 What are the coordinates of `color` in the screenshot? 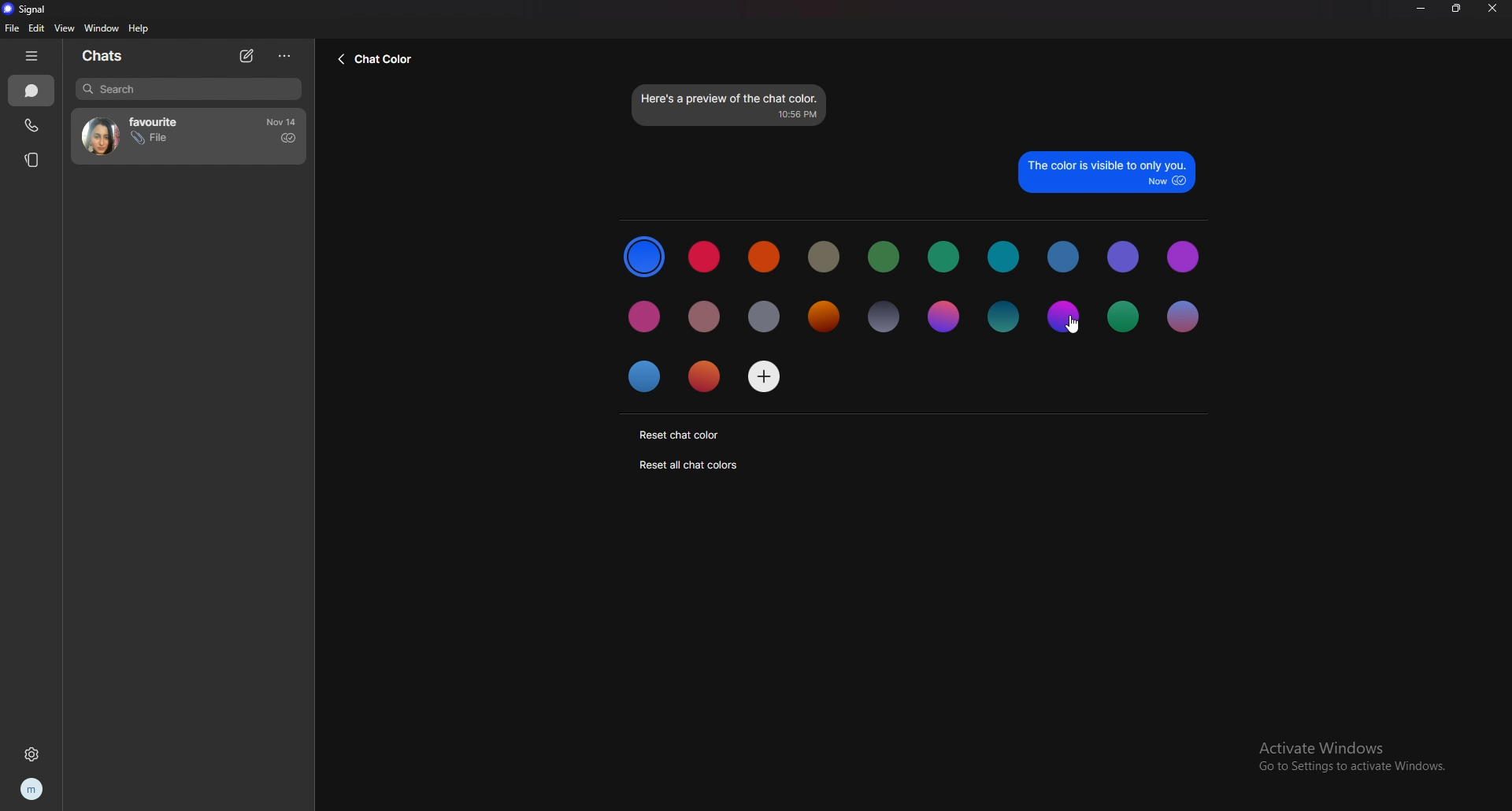 It's located at (1184, 256).